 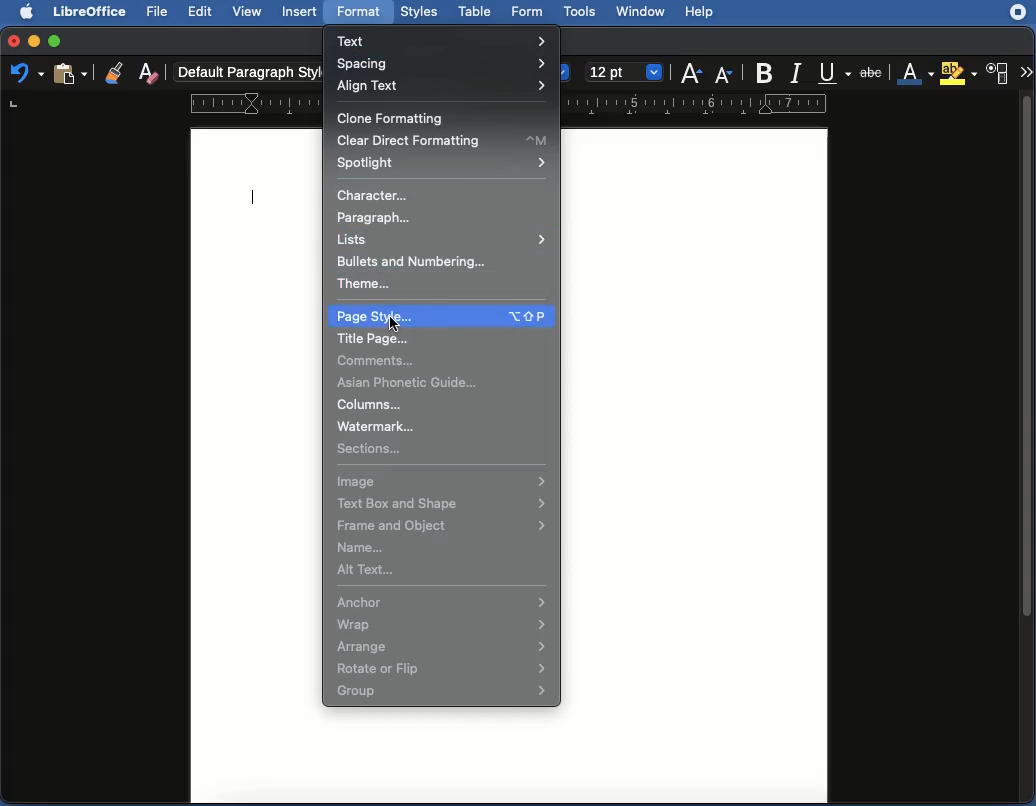 I want to click on scroll bar, so click(x=1027, y=445).